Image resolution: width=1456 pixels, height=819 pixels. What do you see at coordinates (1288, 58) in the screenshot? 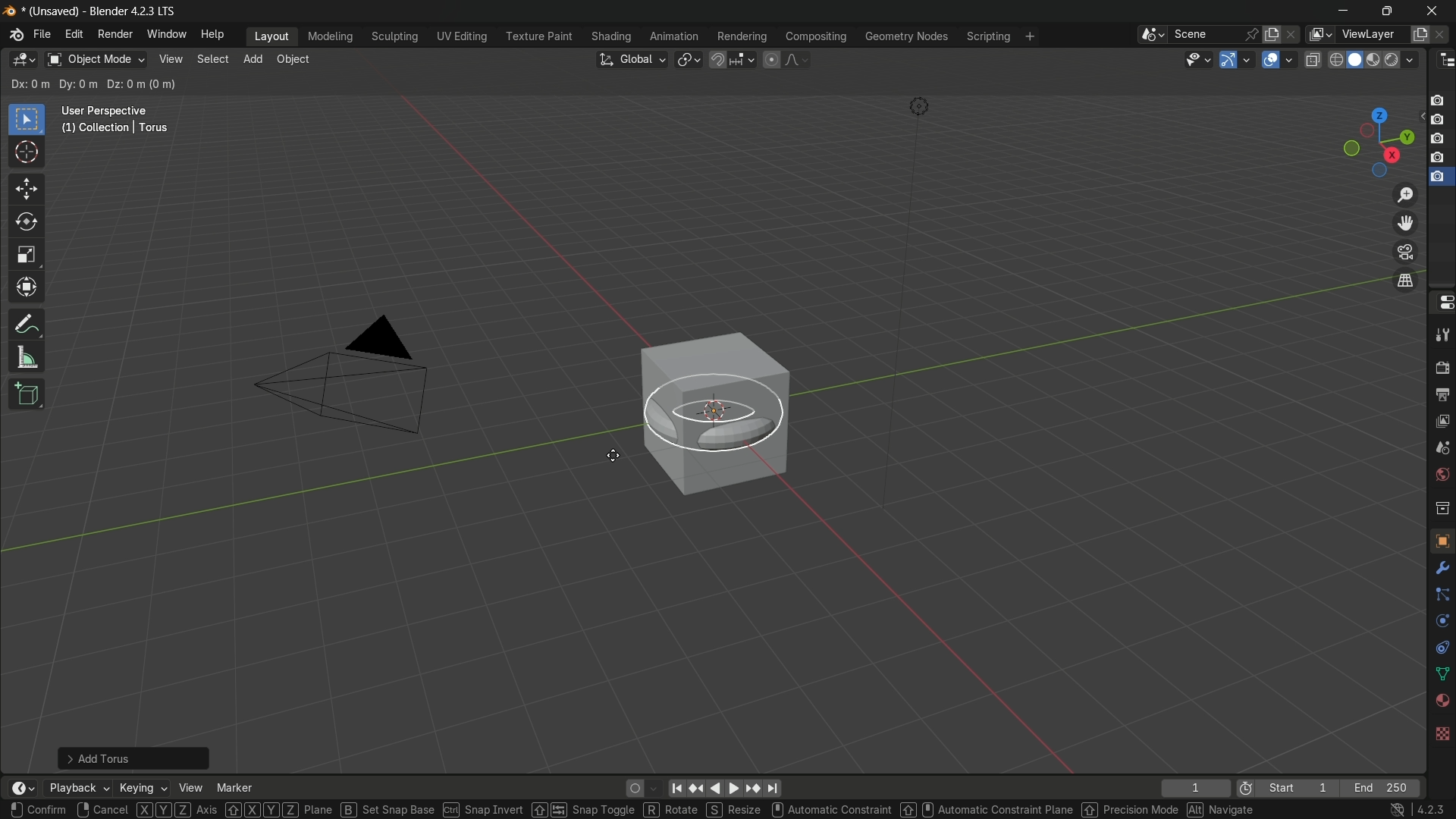
I see `overlays` at bounding box center [1288, 58].